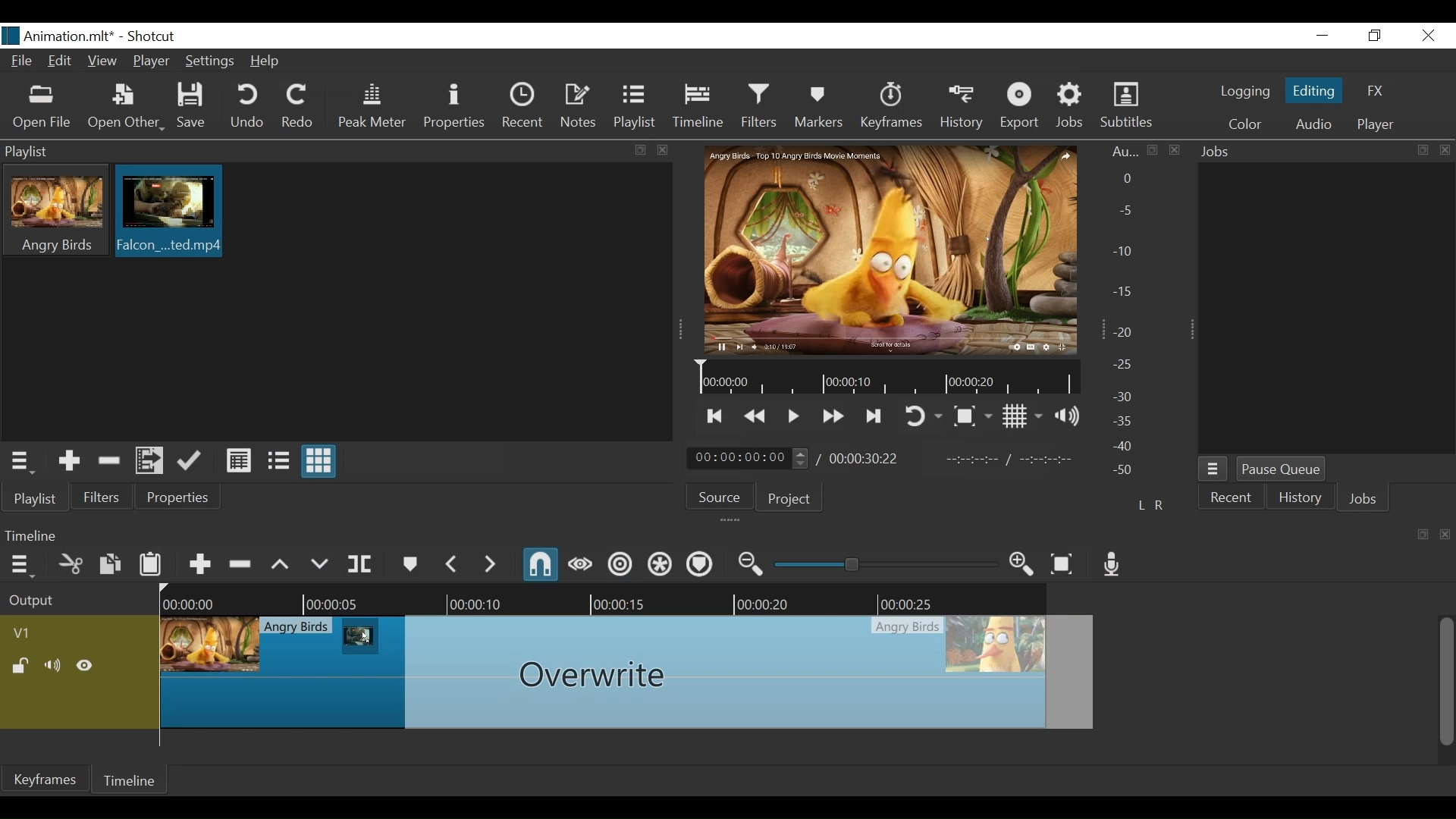 The width and height of the screenshot is (1456, 819). What do you see at coordinates (542, 566) in the screenshot?
I see `Snap` at bounding box center [542, 566].